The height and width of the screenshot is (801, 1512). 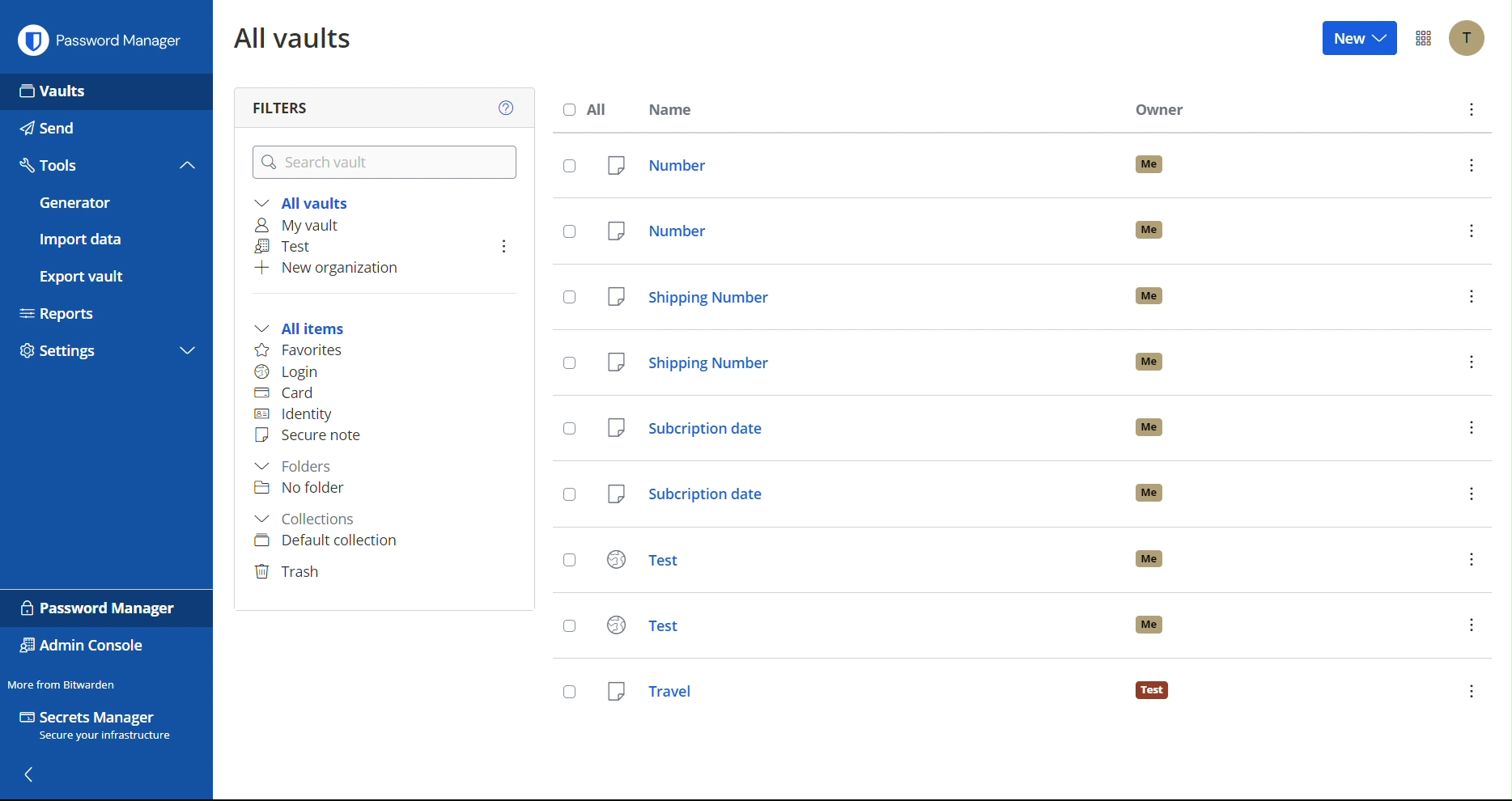 What do you see at coordinates (854, 230) in the screenshot?
I see `number` at bounding box center [854, 230].